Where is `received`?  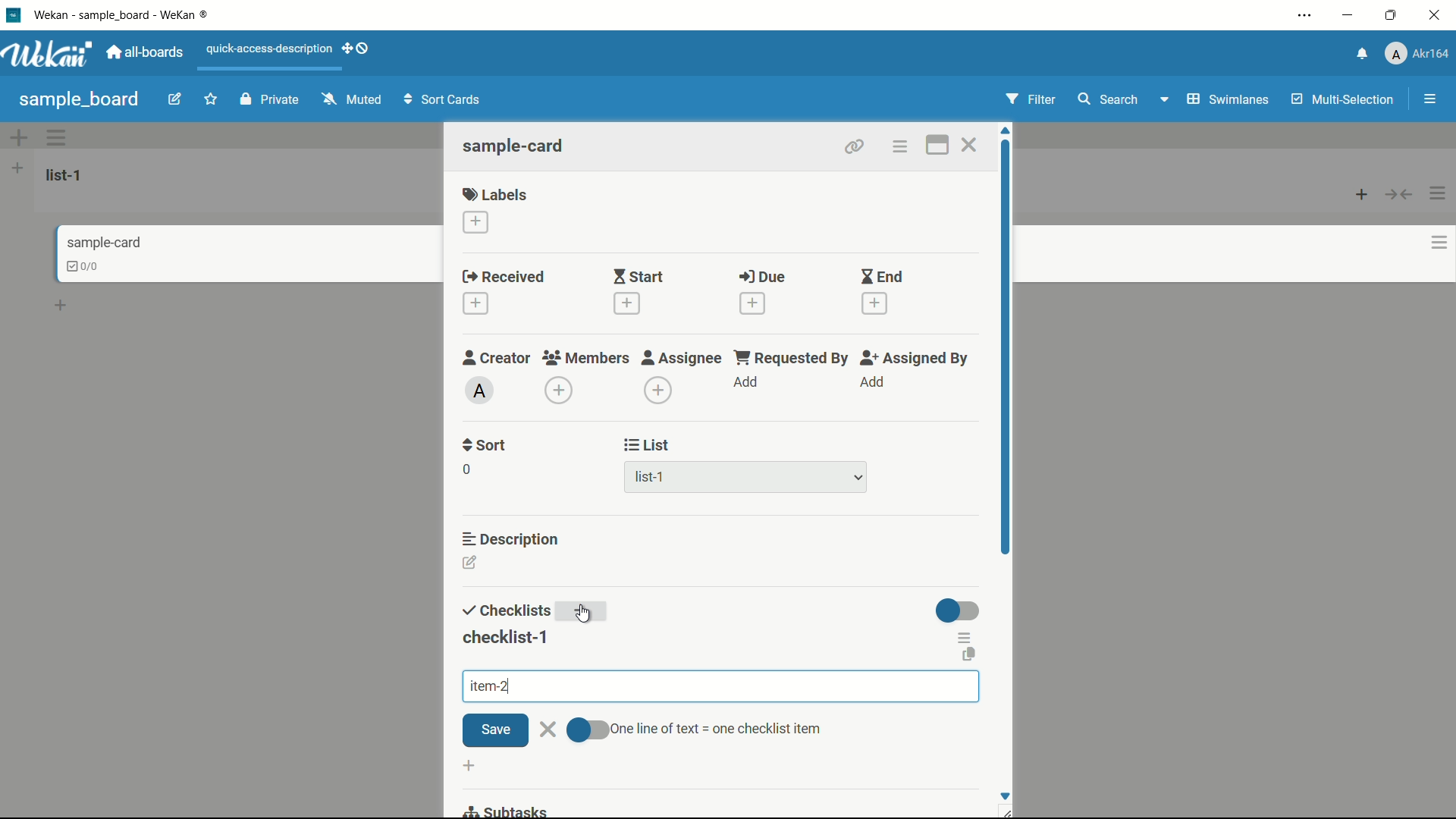
received is located at coordinates (504, 278).